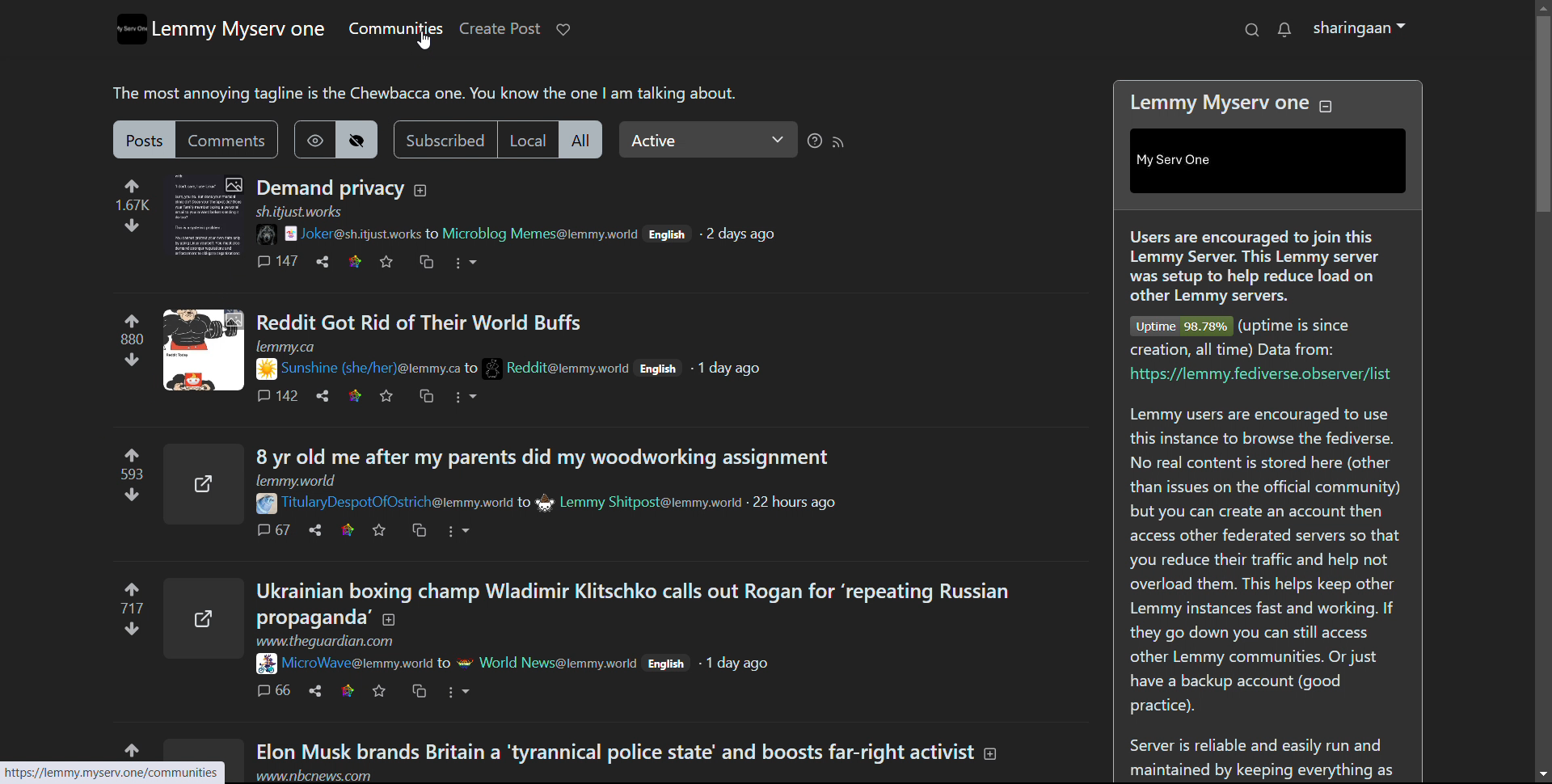  Describe the element at coordinates (464, 662) in the screenshot. I see `poster image` at that location.